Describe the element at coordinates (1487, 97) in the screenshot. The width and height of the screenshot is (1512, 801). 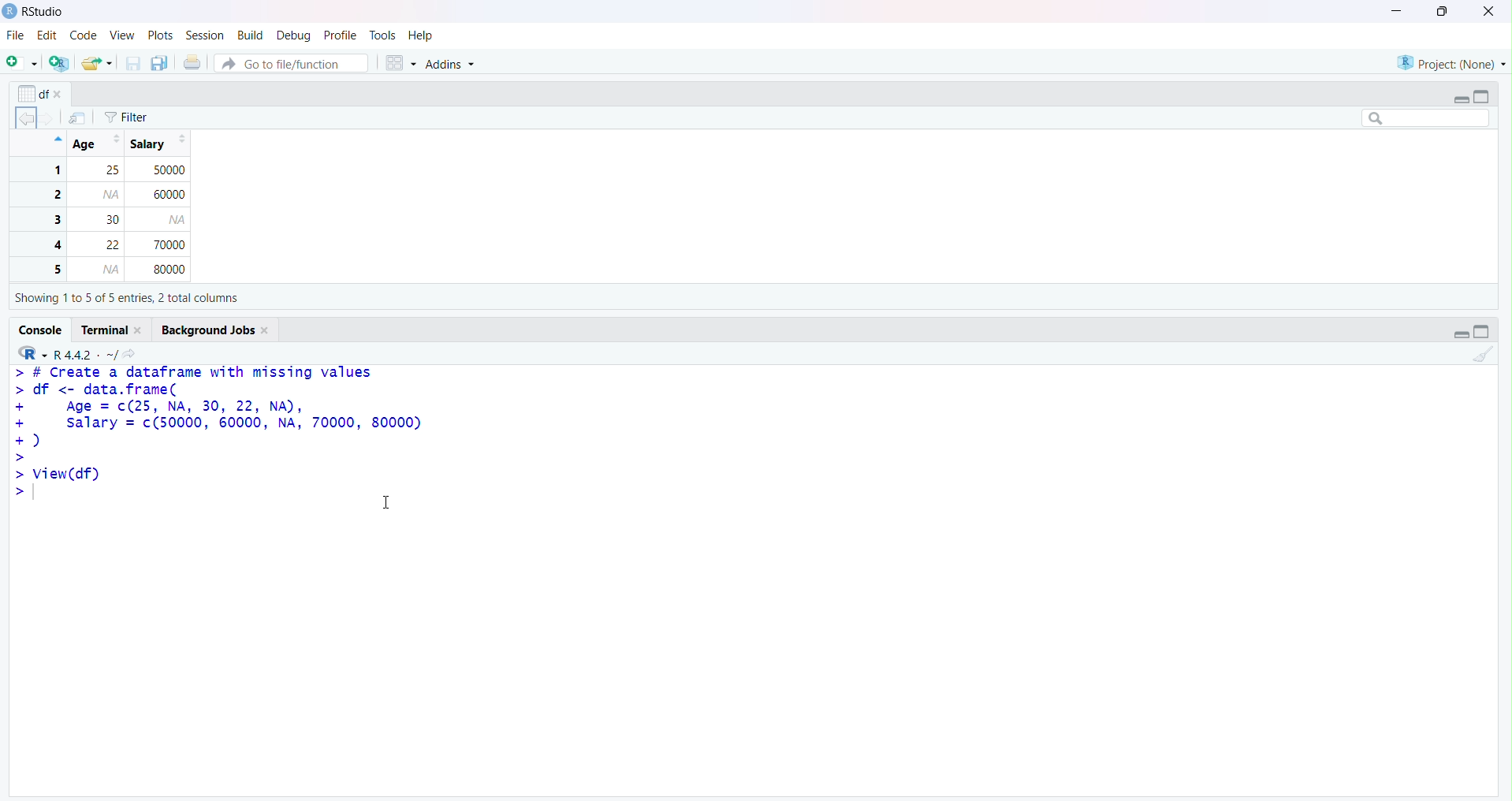
I see `Maximize` at that location.